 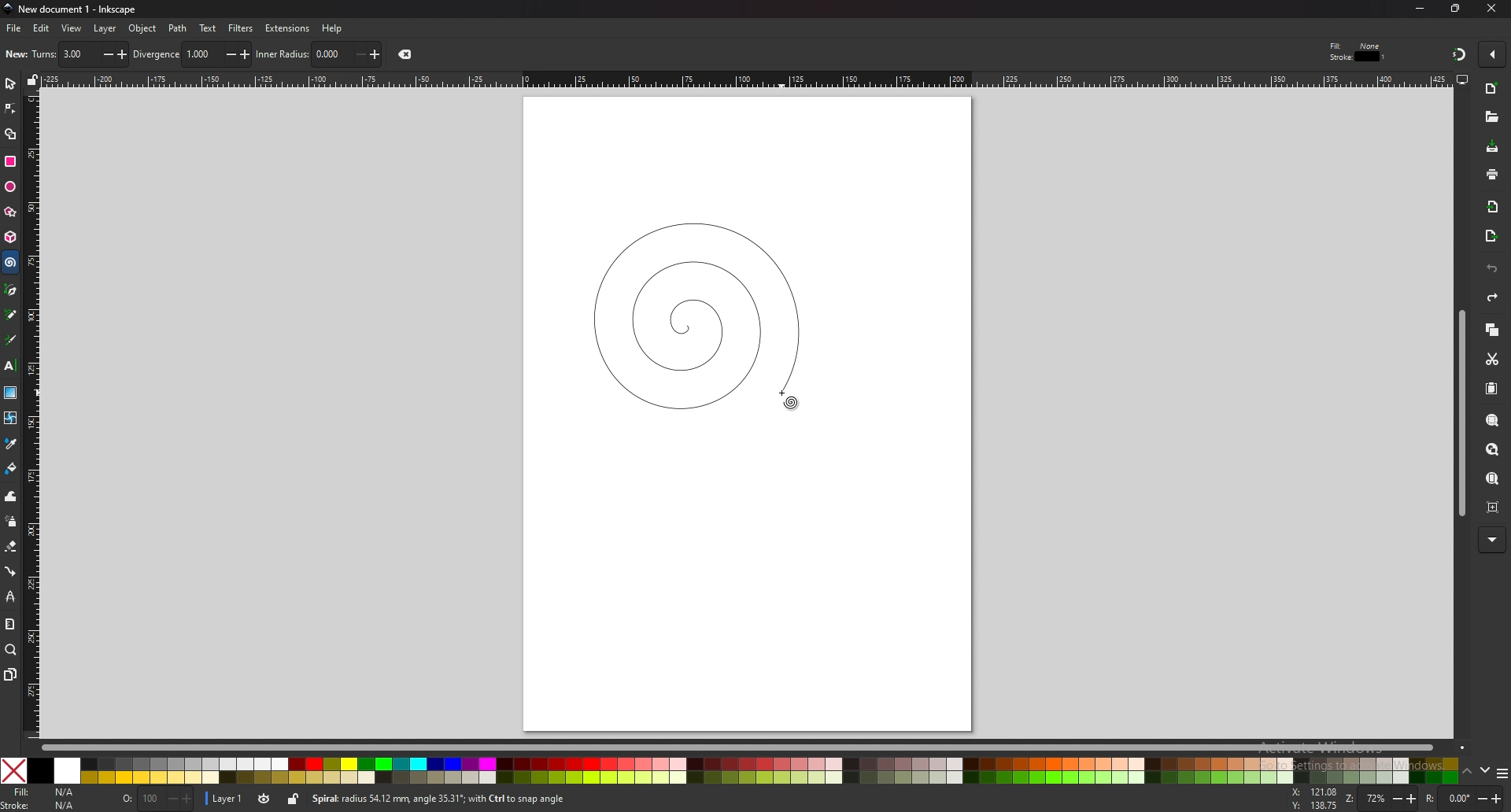 I want to click on snapping, so click(x=1457, y=54).